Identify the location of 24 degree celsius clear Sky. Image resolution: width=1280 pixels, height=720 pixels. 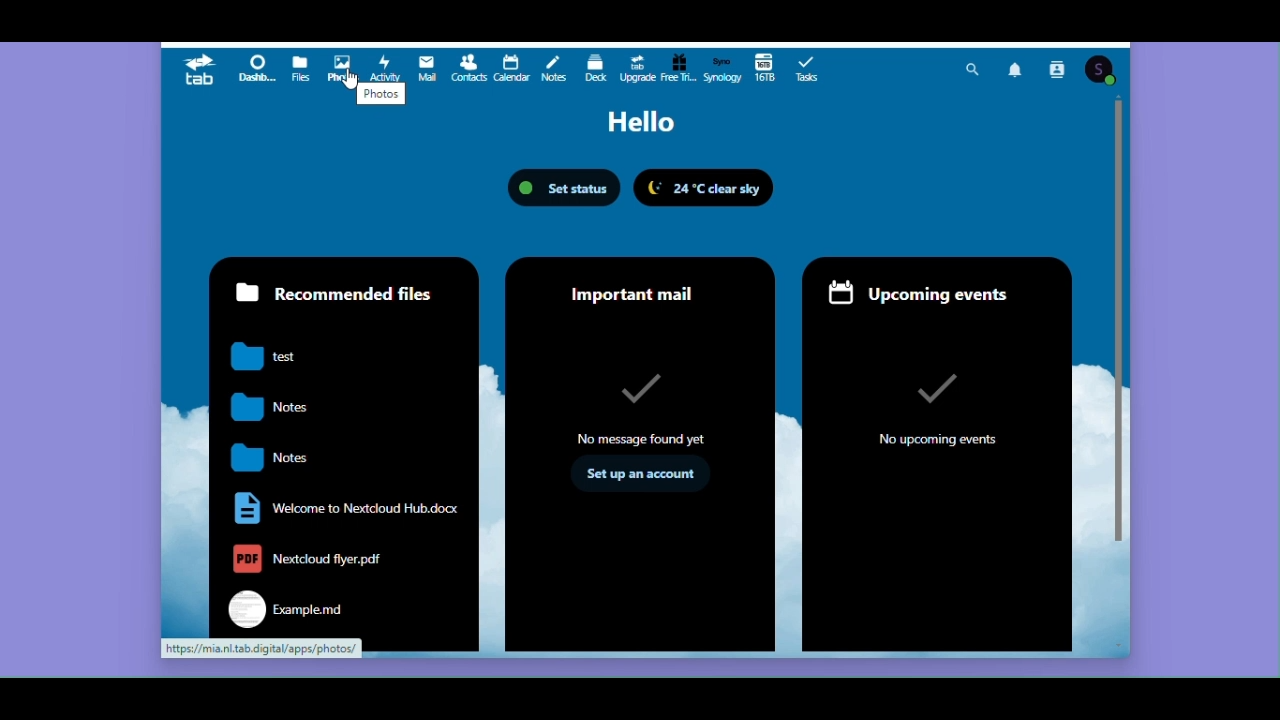
(709, 189).